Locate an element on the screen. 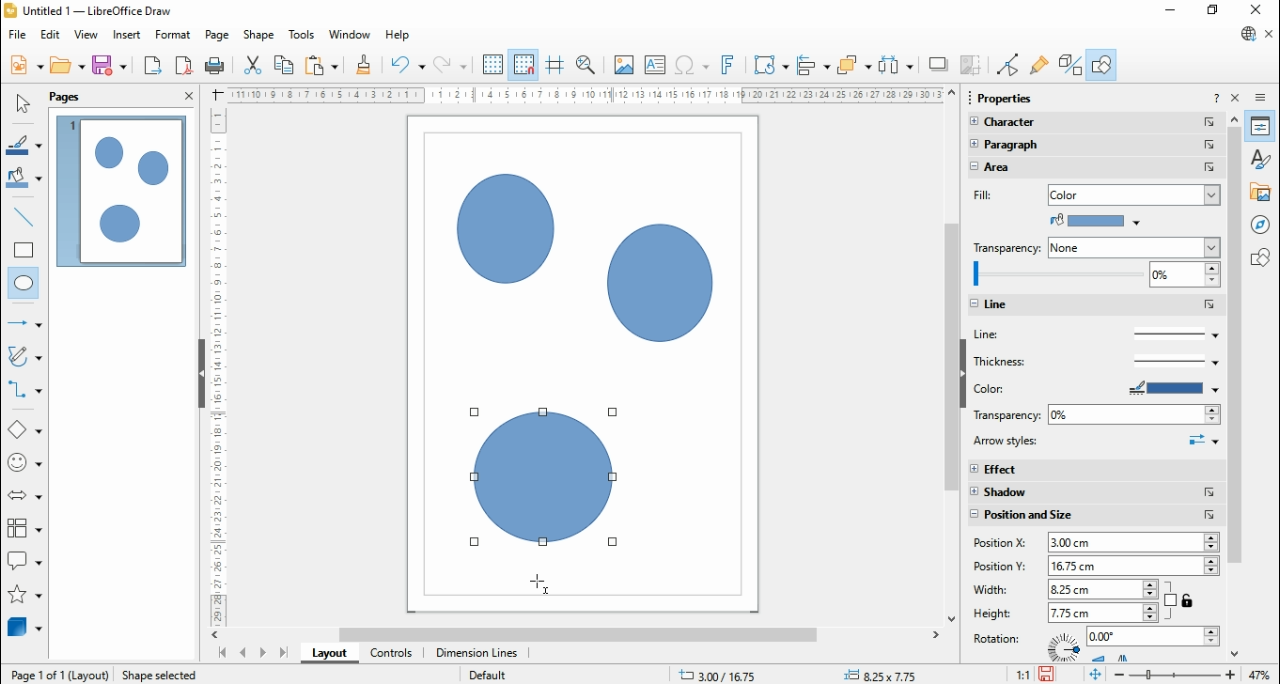  fill color is located at coordinates (982, 196).